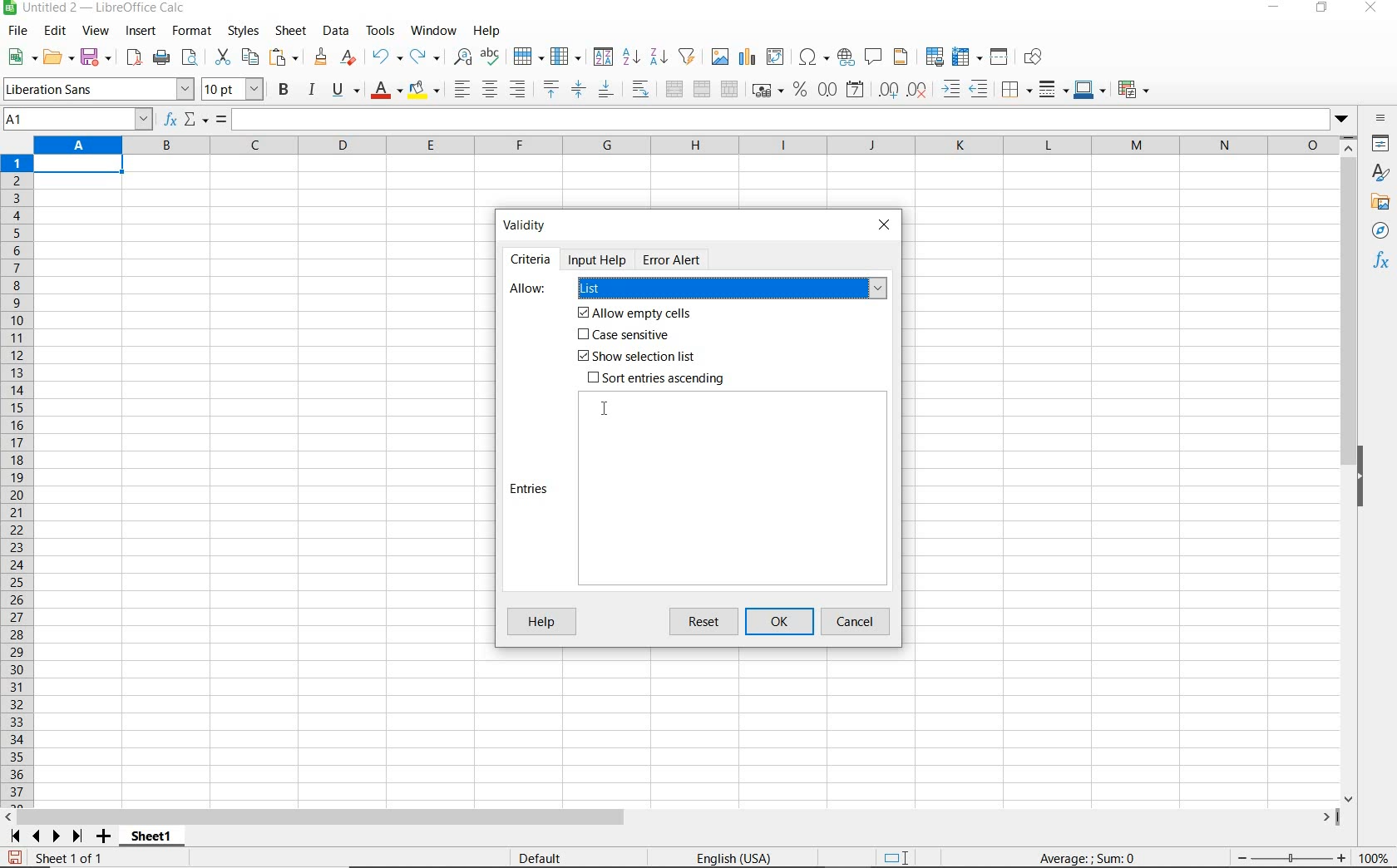  Describe the element at coordinates (983, 89) in the screenshot. I see `decrease indent` at that location.